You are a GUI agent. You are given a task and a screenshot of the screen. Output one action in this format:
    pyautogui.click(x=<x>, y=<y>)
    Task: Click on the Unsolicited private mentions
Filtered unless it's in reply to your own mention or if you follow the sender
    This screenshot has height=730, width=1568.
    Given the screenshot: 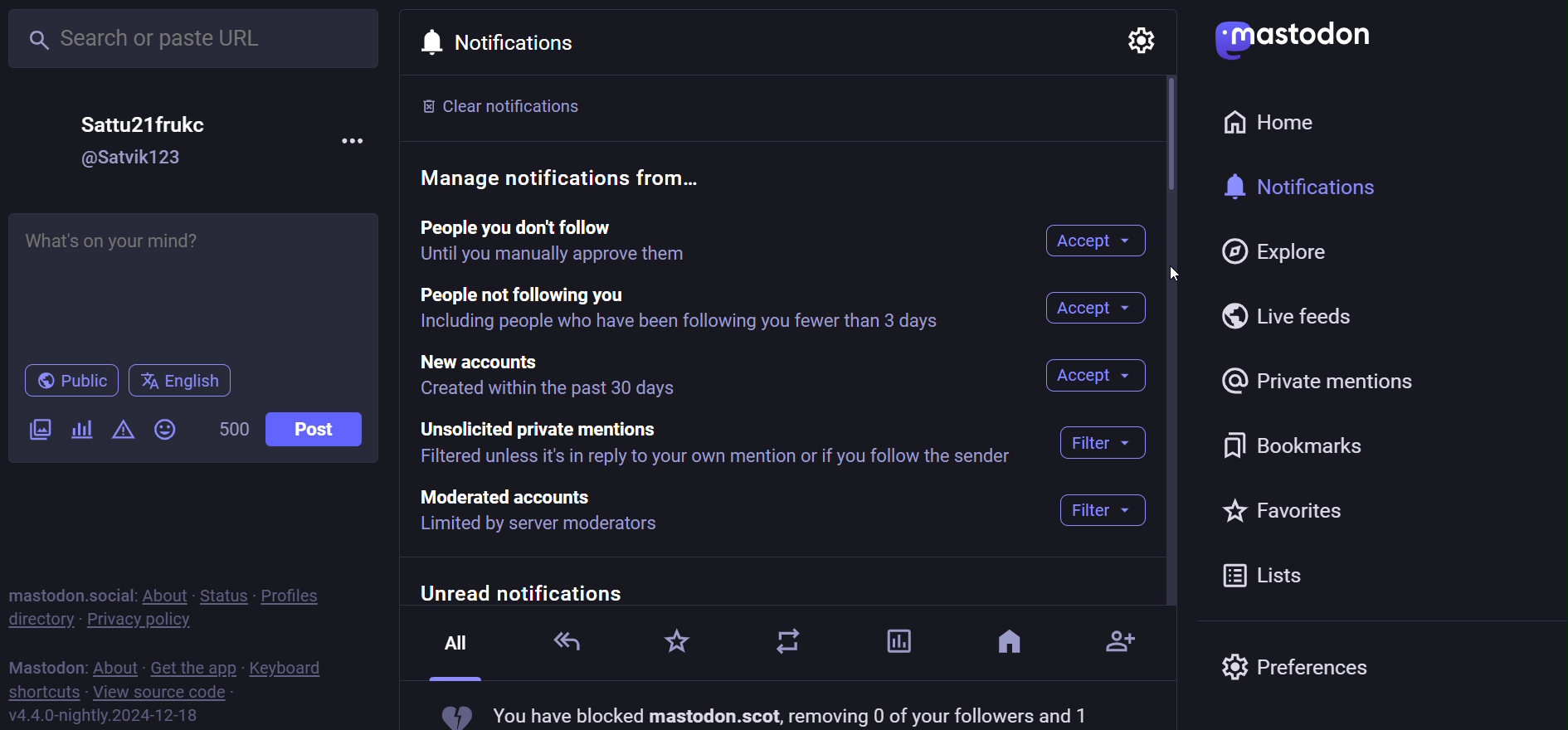 What is the action you would take?
    pyautogui.click(x=718, y=445)
    